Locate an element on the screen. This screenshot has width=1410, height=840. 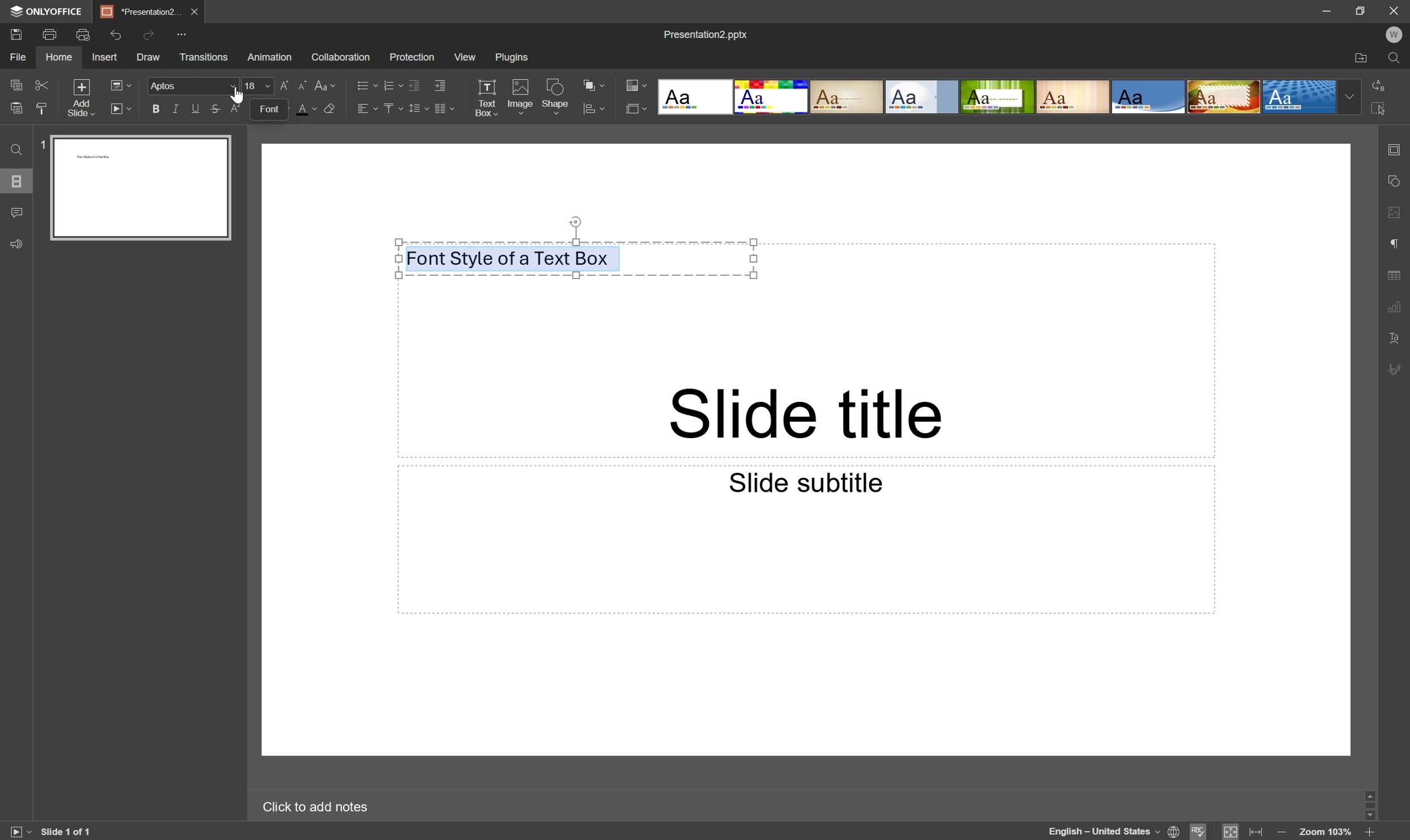
View is located at coordinates (465, 55).